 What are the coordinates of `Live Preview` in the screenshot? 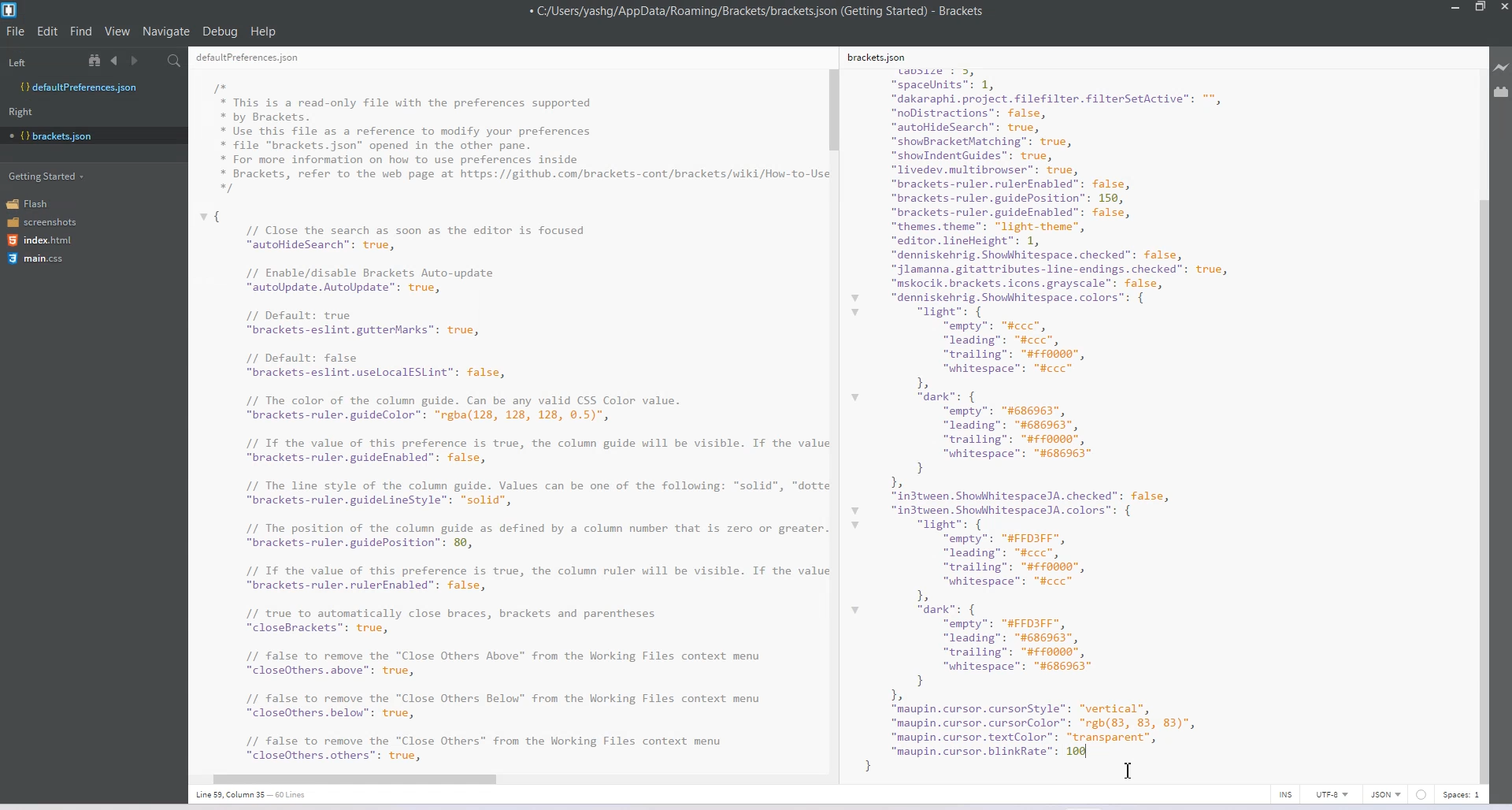 It's located at (1502, 68).